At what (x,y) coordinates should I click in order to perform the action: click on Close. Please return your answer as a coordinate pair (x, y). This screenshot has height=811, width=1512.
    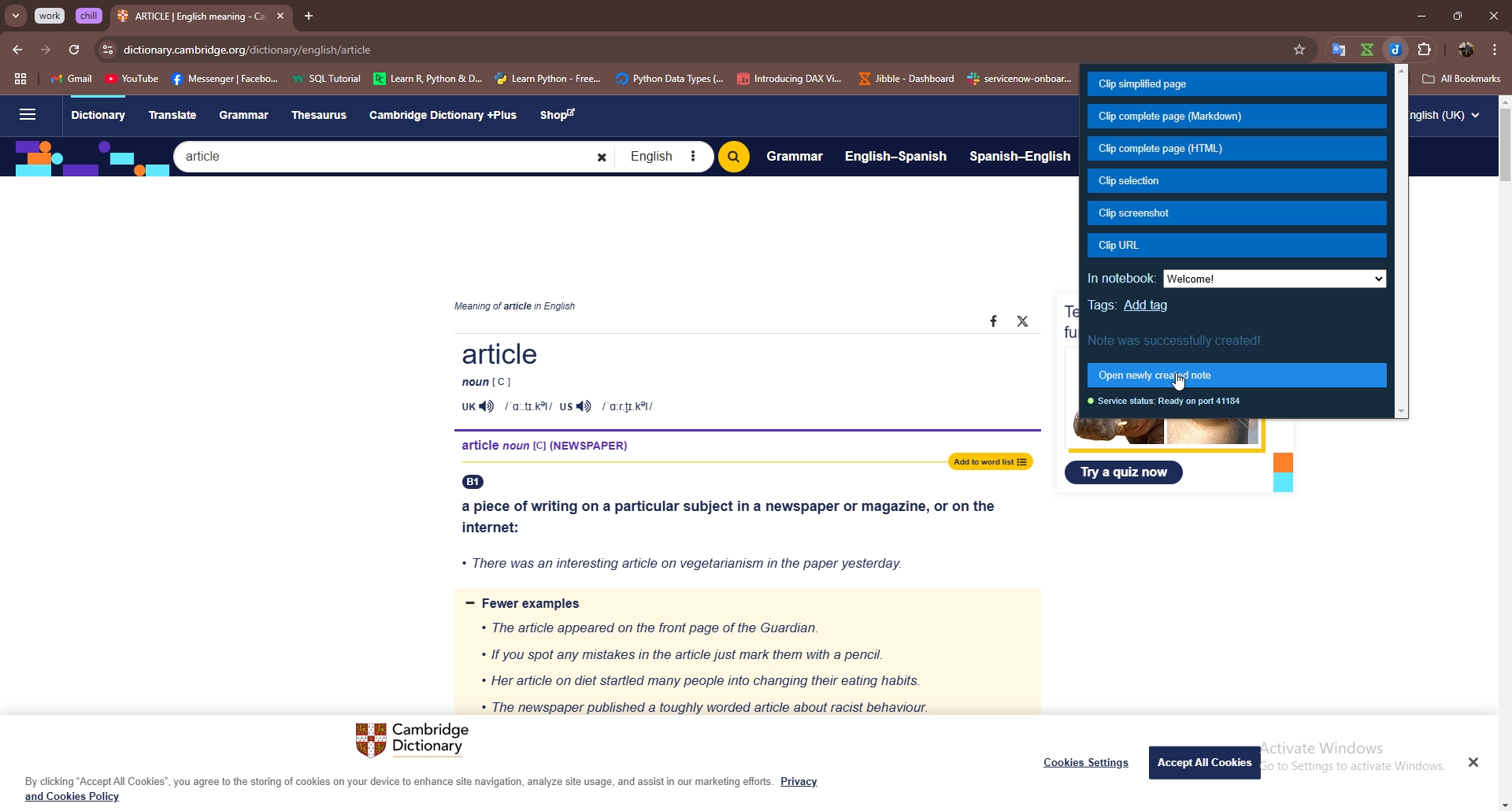
    Looking at the image, I should click on (1473, 761).